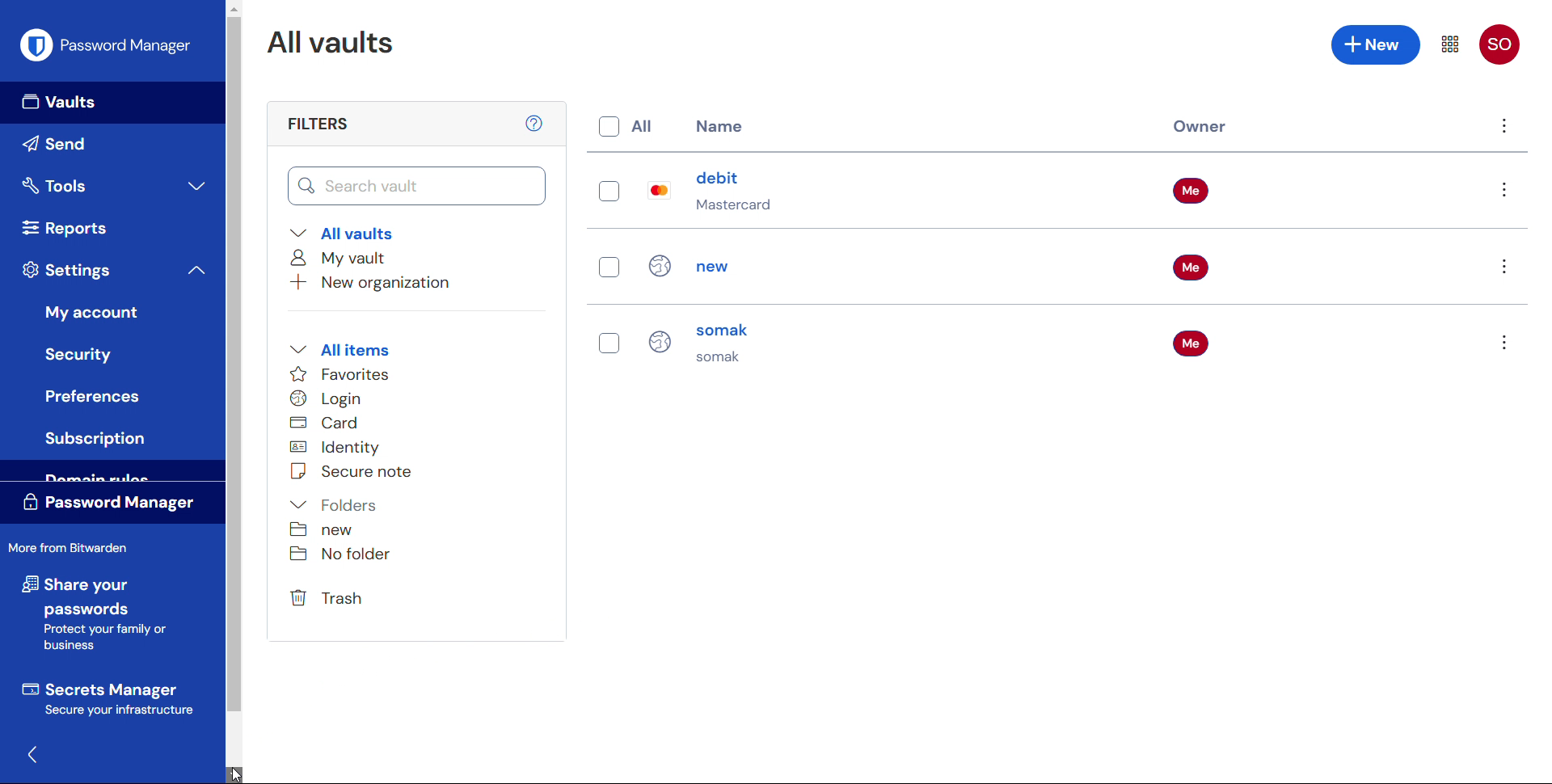 Image resolution: width=1552 pixels, height=784 pixels. What do you see at coordinates (727, 265) in the screenshot?
I see `new` at bounding box center [727, 265].